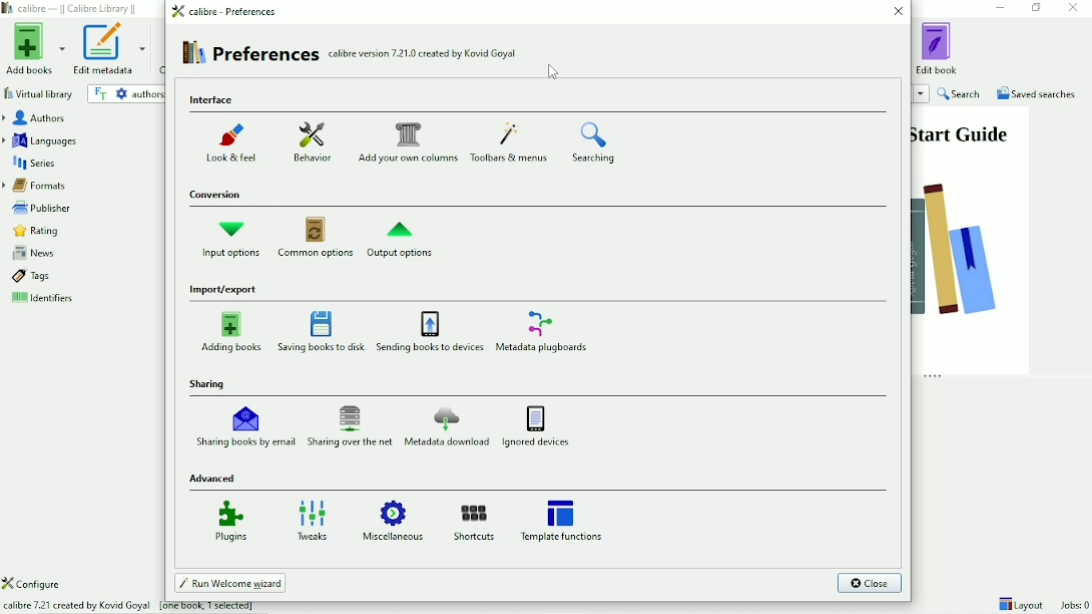 The width and height of the screenshot is (1092, 614). Describe the element at coordinates (409, 141) in the screenshot. I see `Add your own columns` at that location.